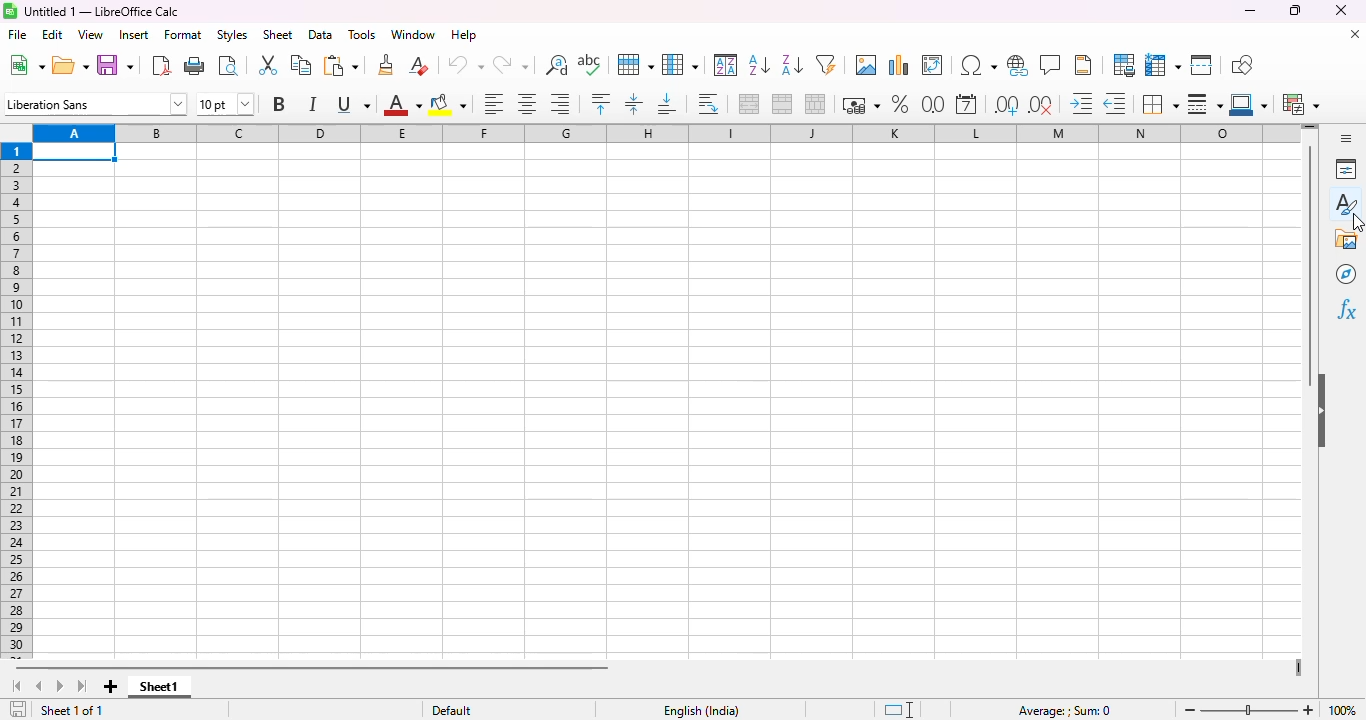 The width and height of the screenshot is (1366, 720). Describe the element at coordinates (38, 687) in the screenshot. I see `scroll to previous sheet` at that location.